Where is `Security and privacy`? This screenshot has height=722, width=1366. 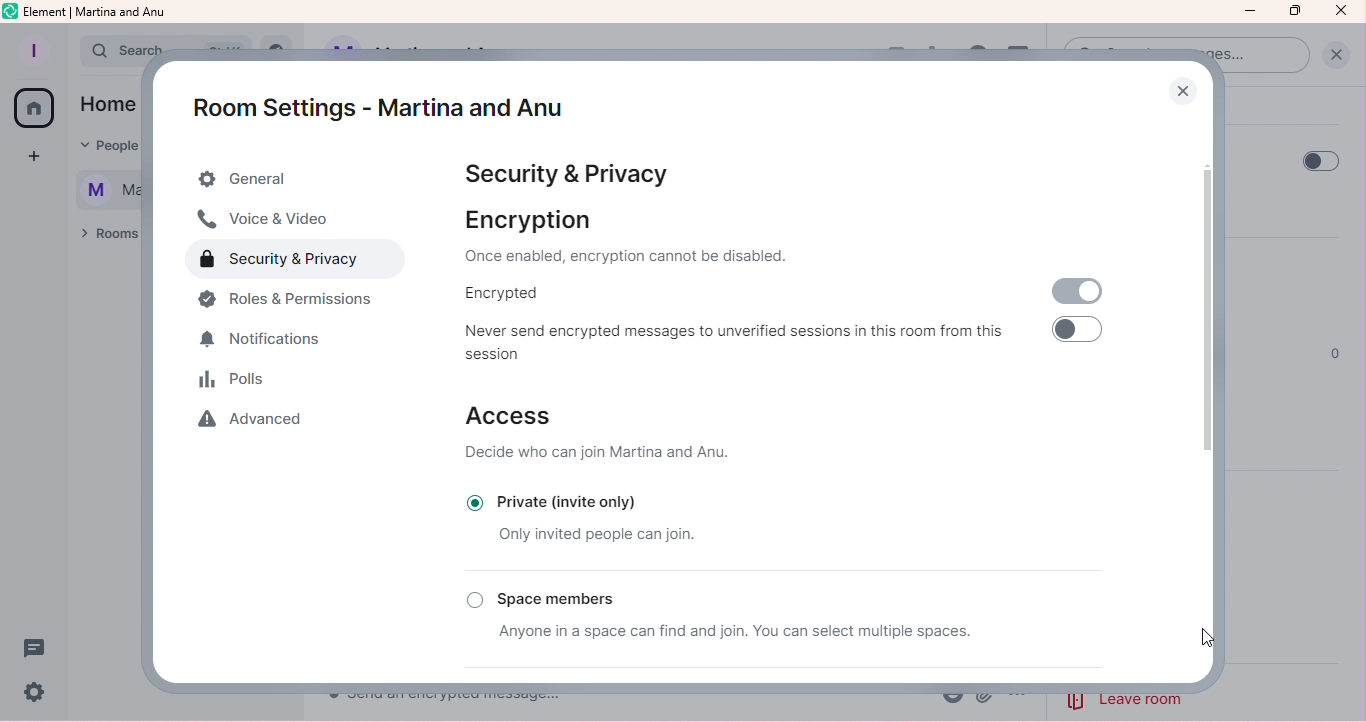
Security and privacy is located at coordinates (301, 261).